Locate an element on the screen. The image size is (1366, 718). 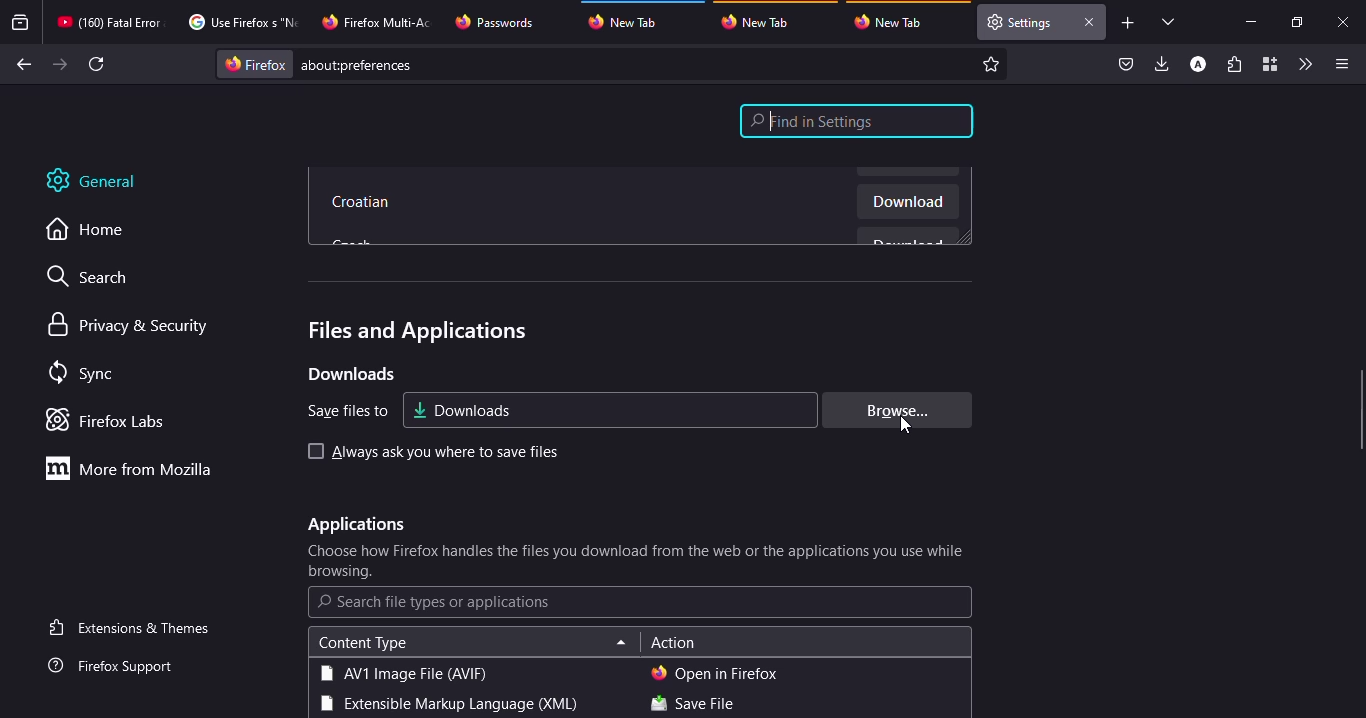
files & applications is located at coordinates (414, 331).